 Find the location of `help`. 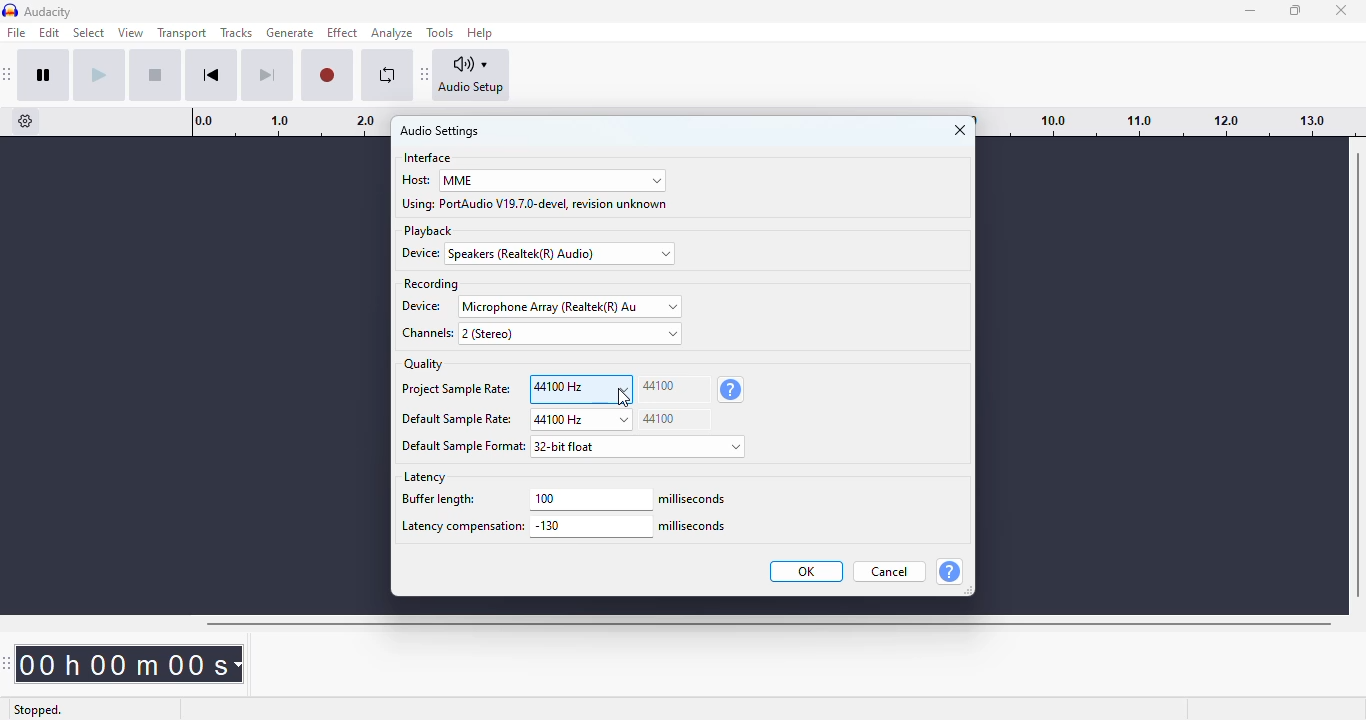

help is located at coordinates (949, 571).